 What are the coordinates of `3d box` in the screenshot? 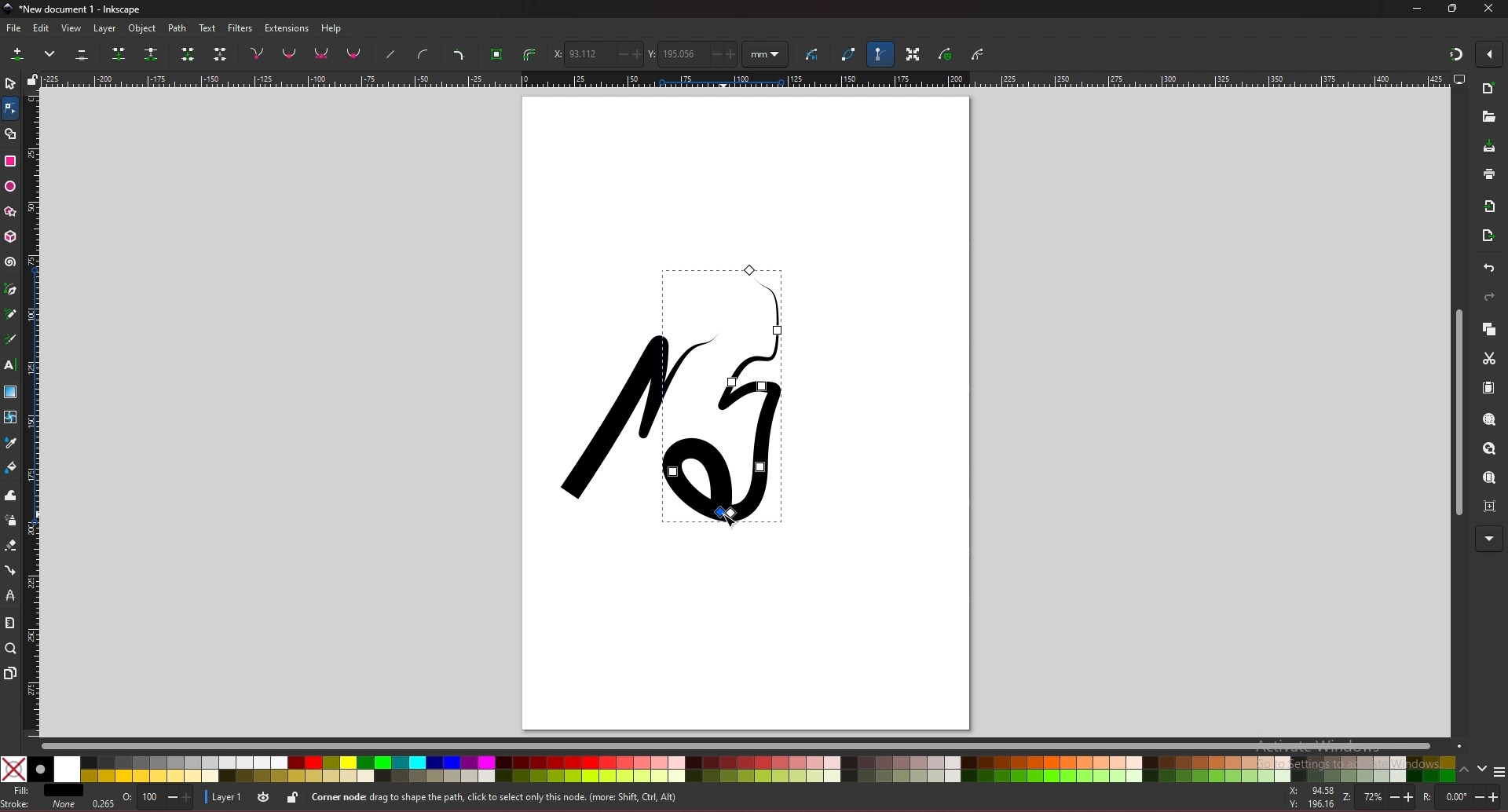 It's located at (11, 237).